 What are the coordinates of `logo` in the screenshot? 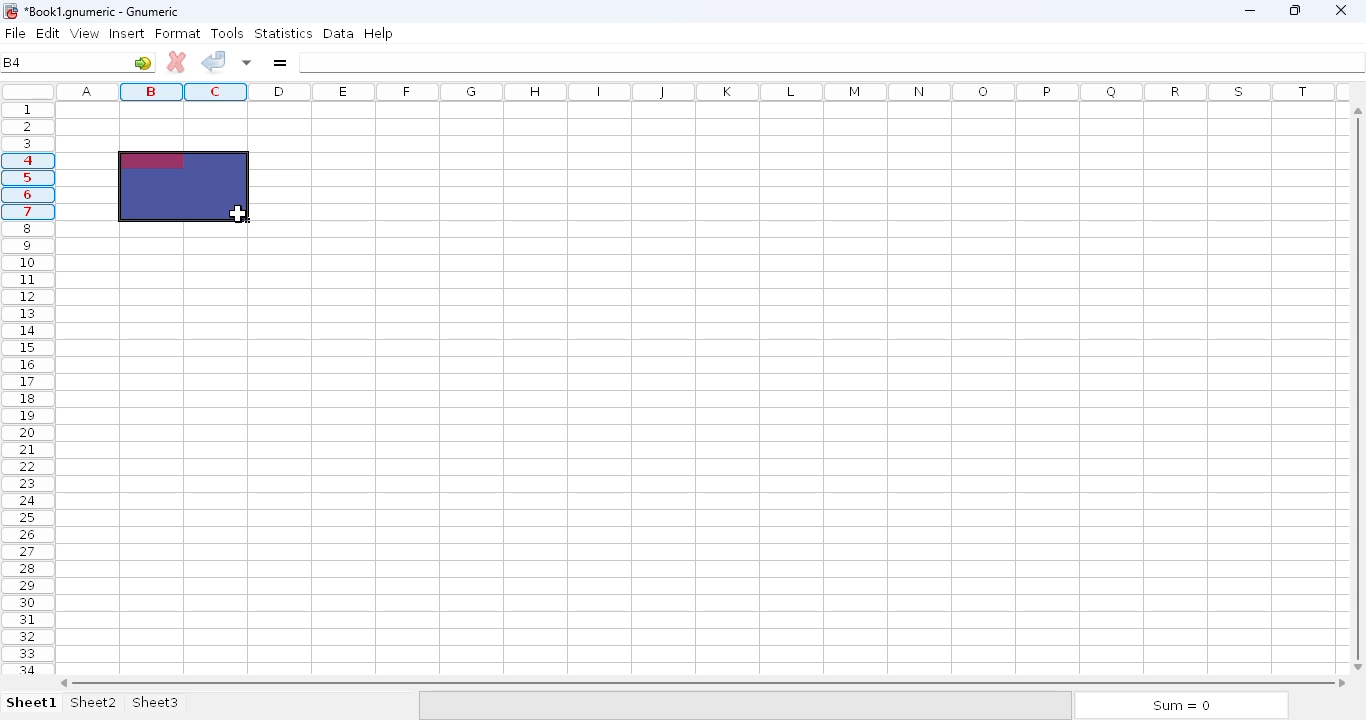 It's located at (10, 12).